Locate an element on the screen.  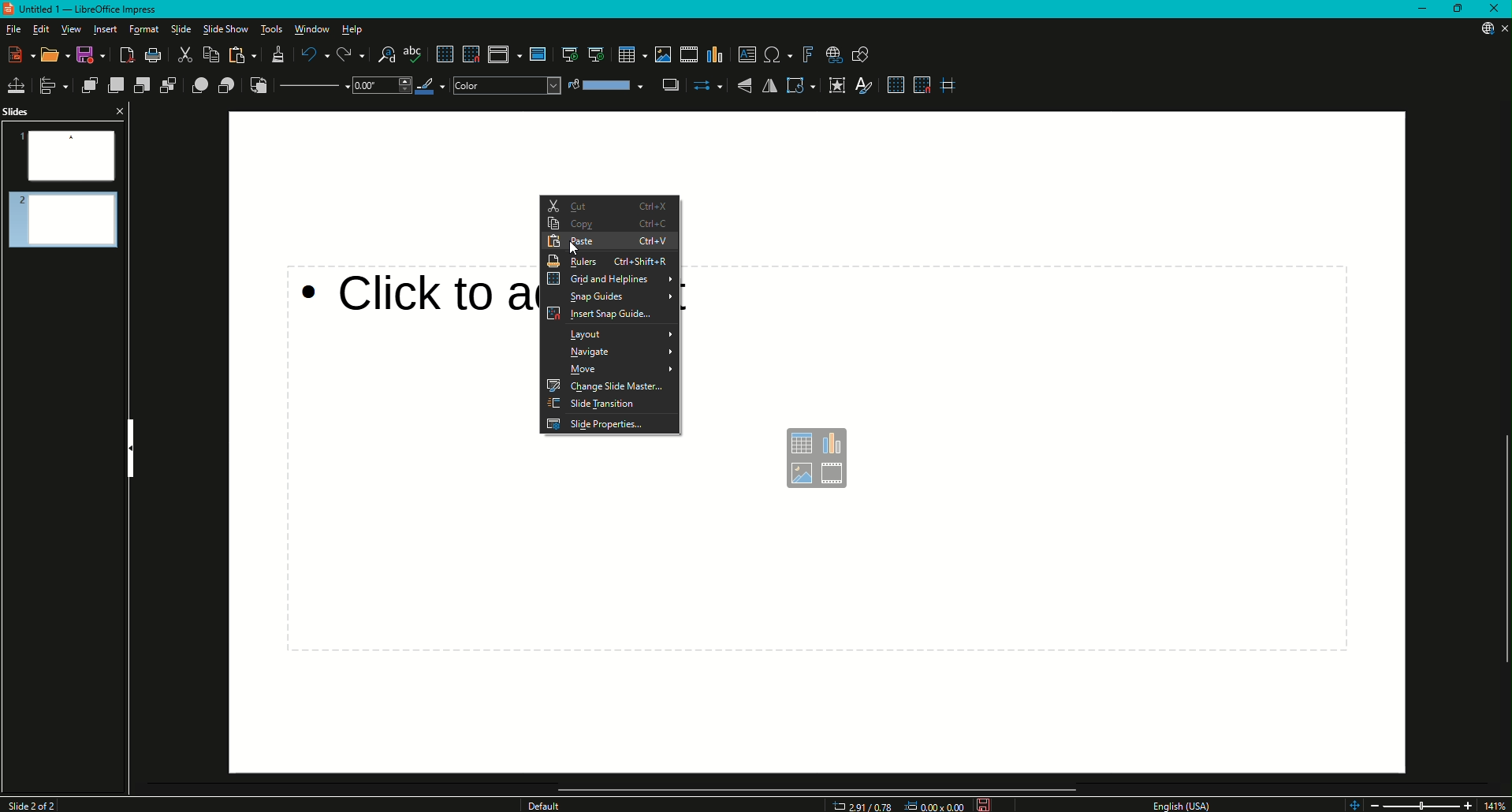
Print is located at coordinates (153, 54).